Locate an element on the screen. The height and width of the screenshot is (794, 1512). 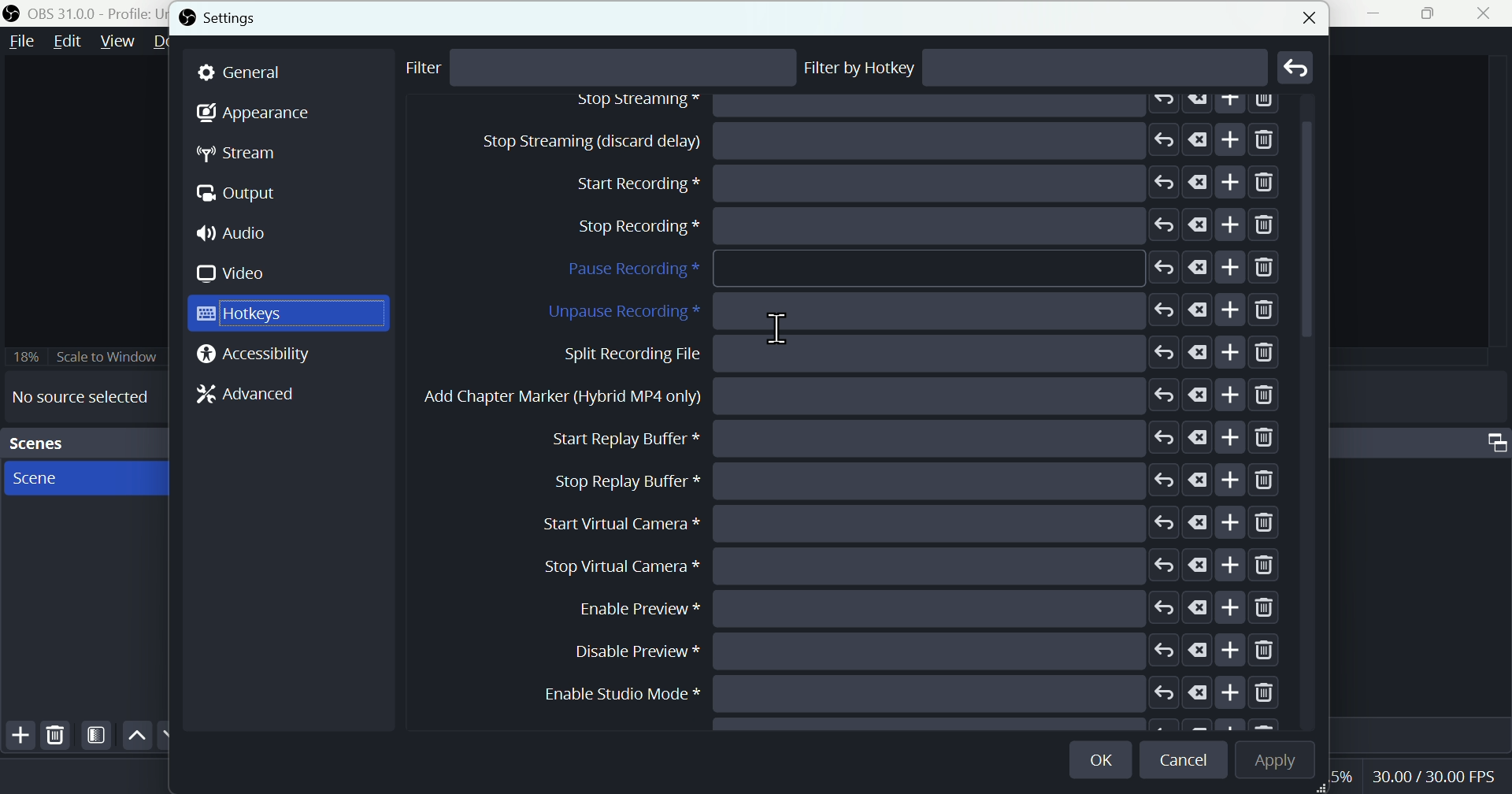
Unpause recording is located at coordinates (921, 310).